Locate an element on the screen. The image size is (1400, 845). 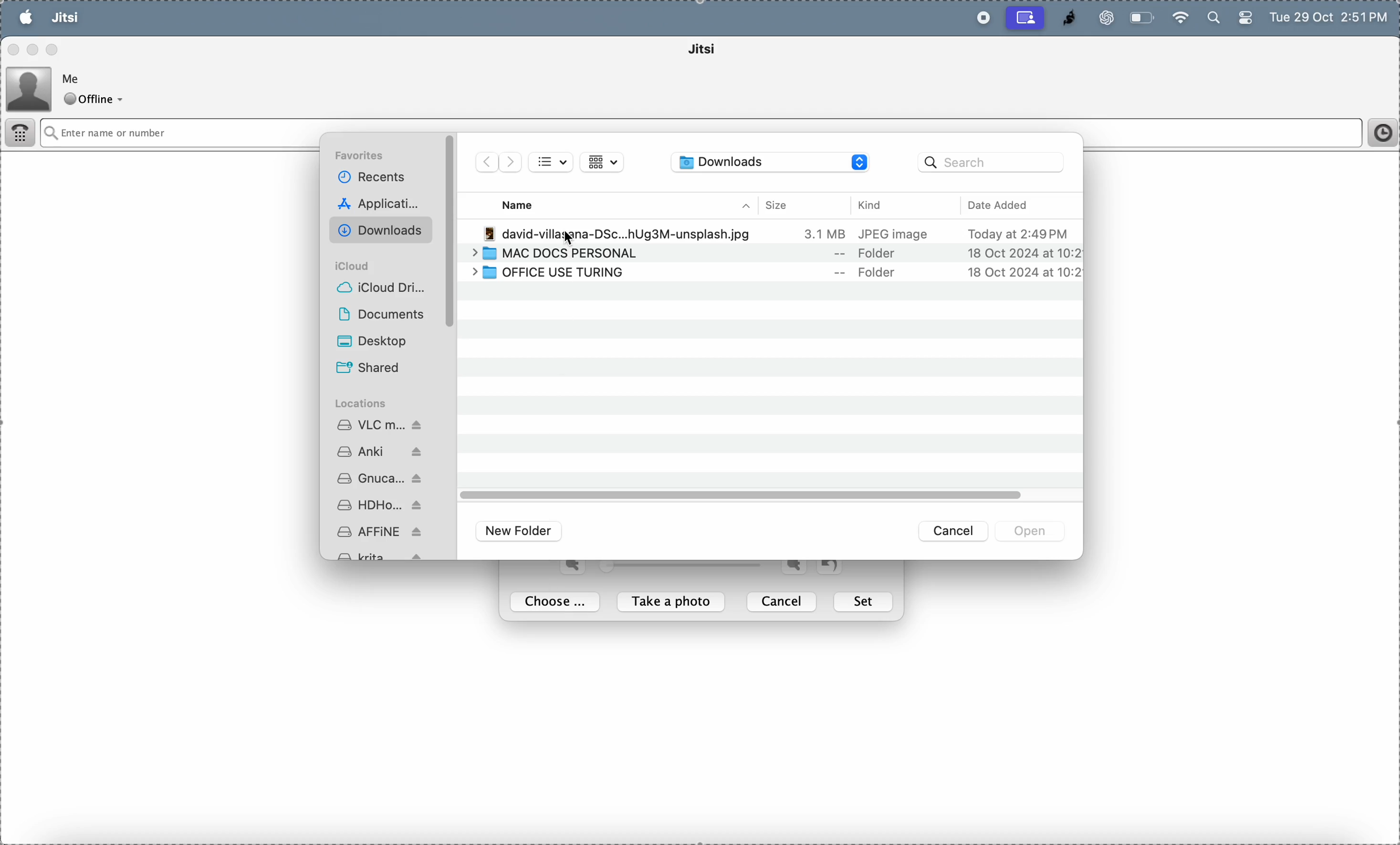
-] david-villasana-DSc...hUg3M-unsplash.jpg 3.1 MB JPEG image Today at 2:49PM is located at coordinates (781, 233).